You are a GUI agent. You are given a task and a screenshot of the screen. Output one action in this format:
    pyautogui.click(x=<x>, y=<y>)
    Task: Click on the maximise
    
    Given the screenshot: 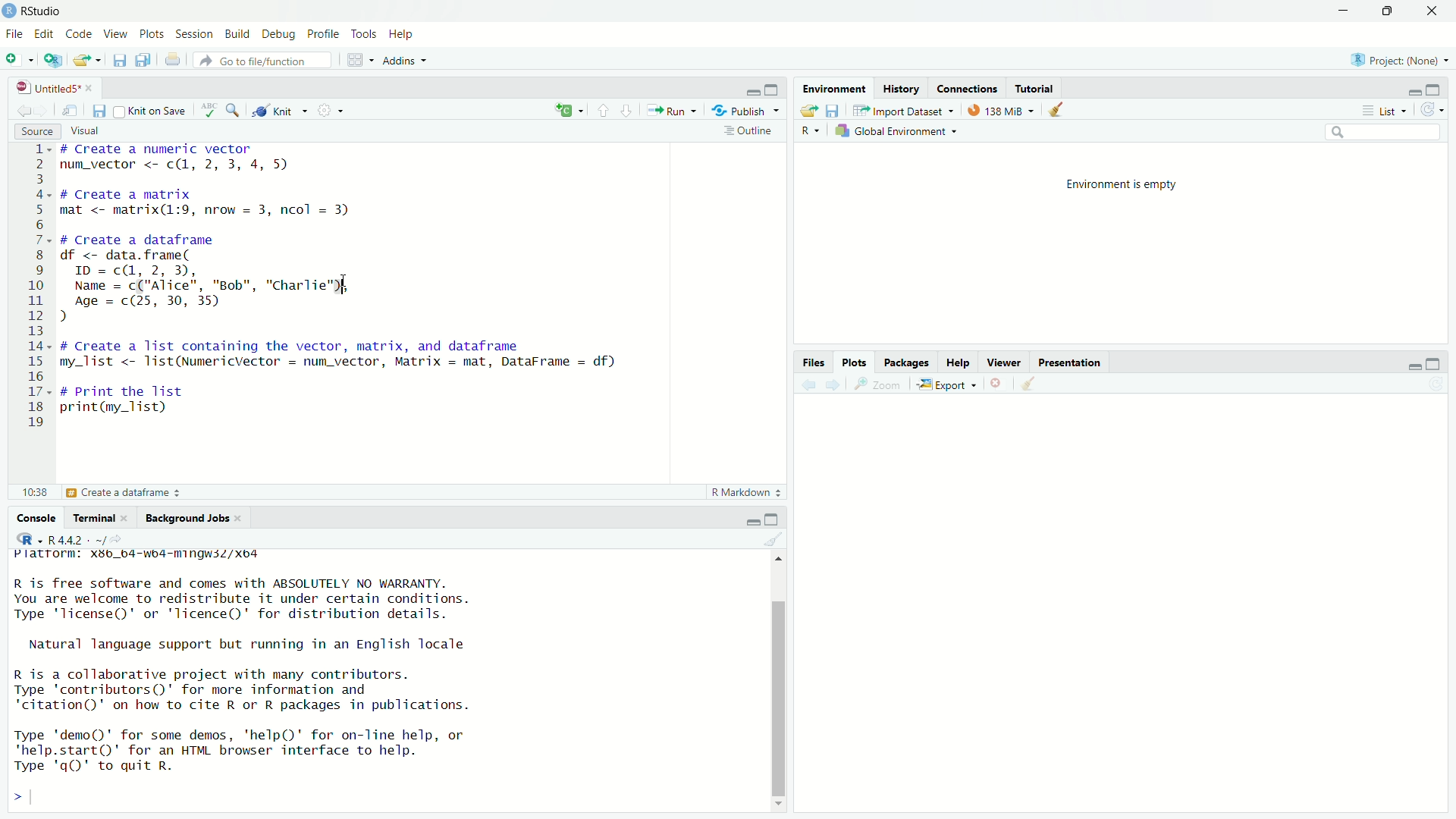 What is the action you would take?
    pyautogui.click(x=777, y=517)
    